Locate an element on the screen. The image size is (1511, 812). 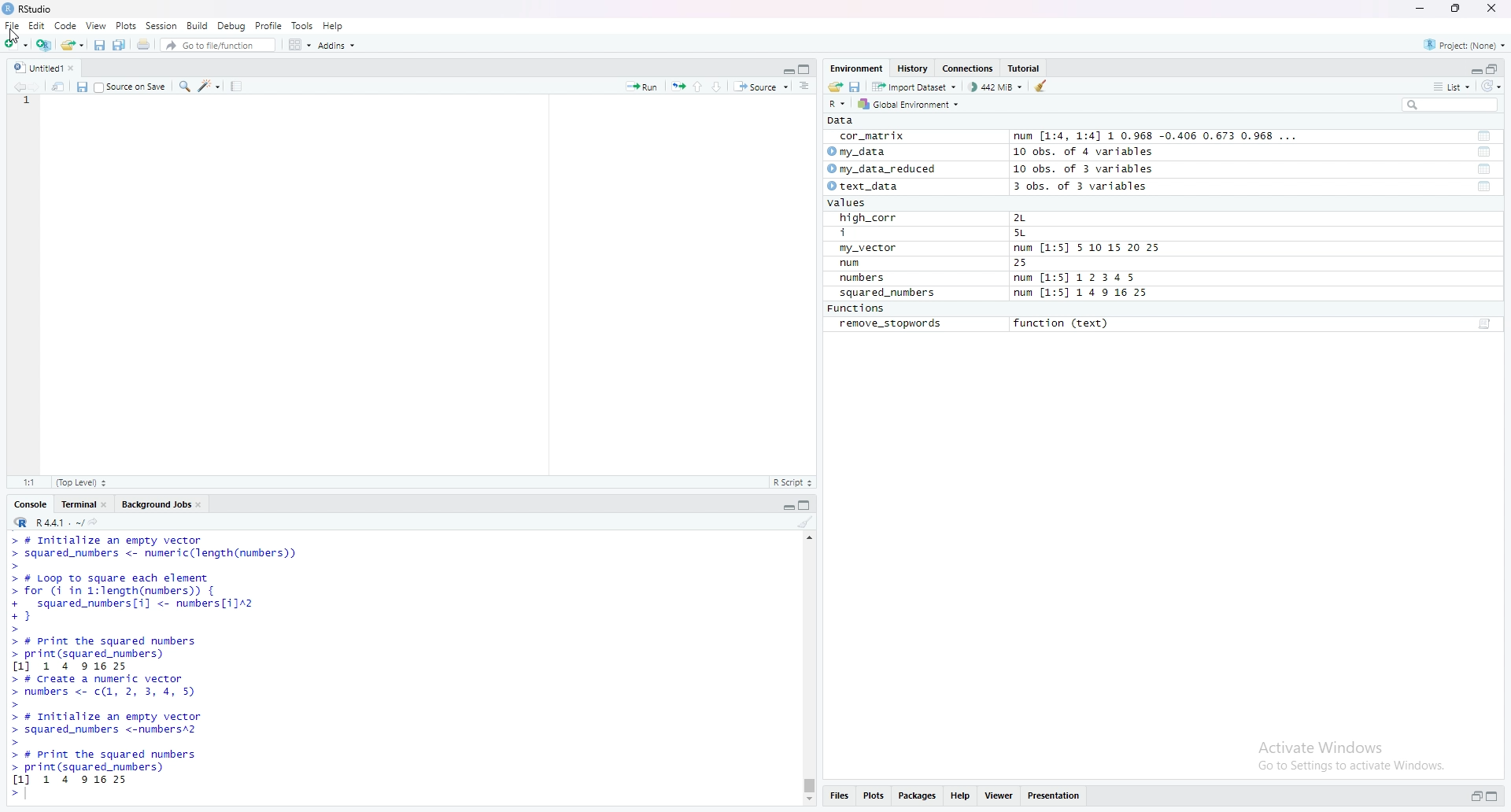
New File is located at coordinates (15, 45).